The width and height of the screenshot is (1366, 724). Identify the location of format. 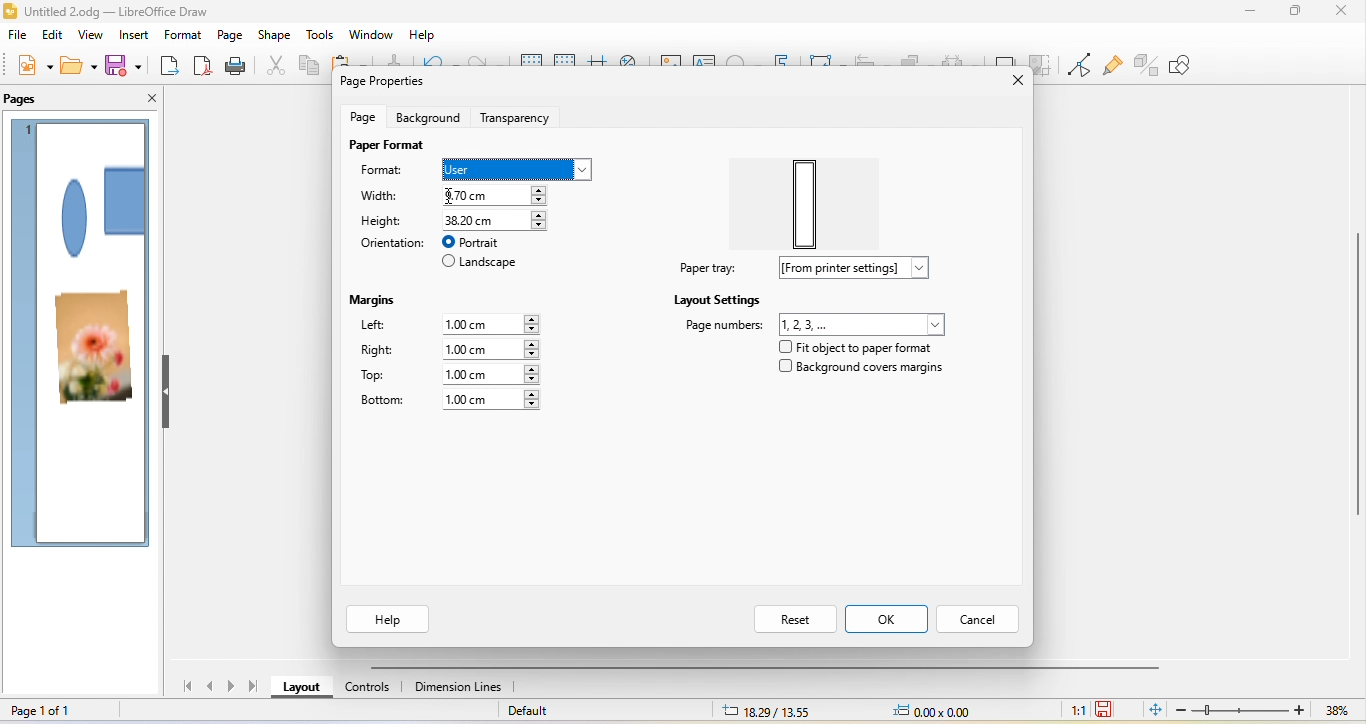
(183, 35).